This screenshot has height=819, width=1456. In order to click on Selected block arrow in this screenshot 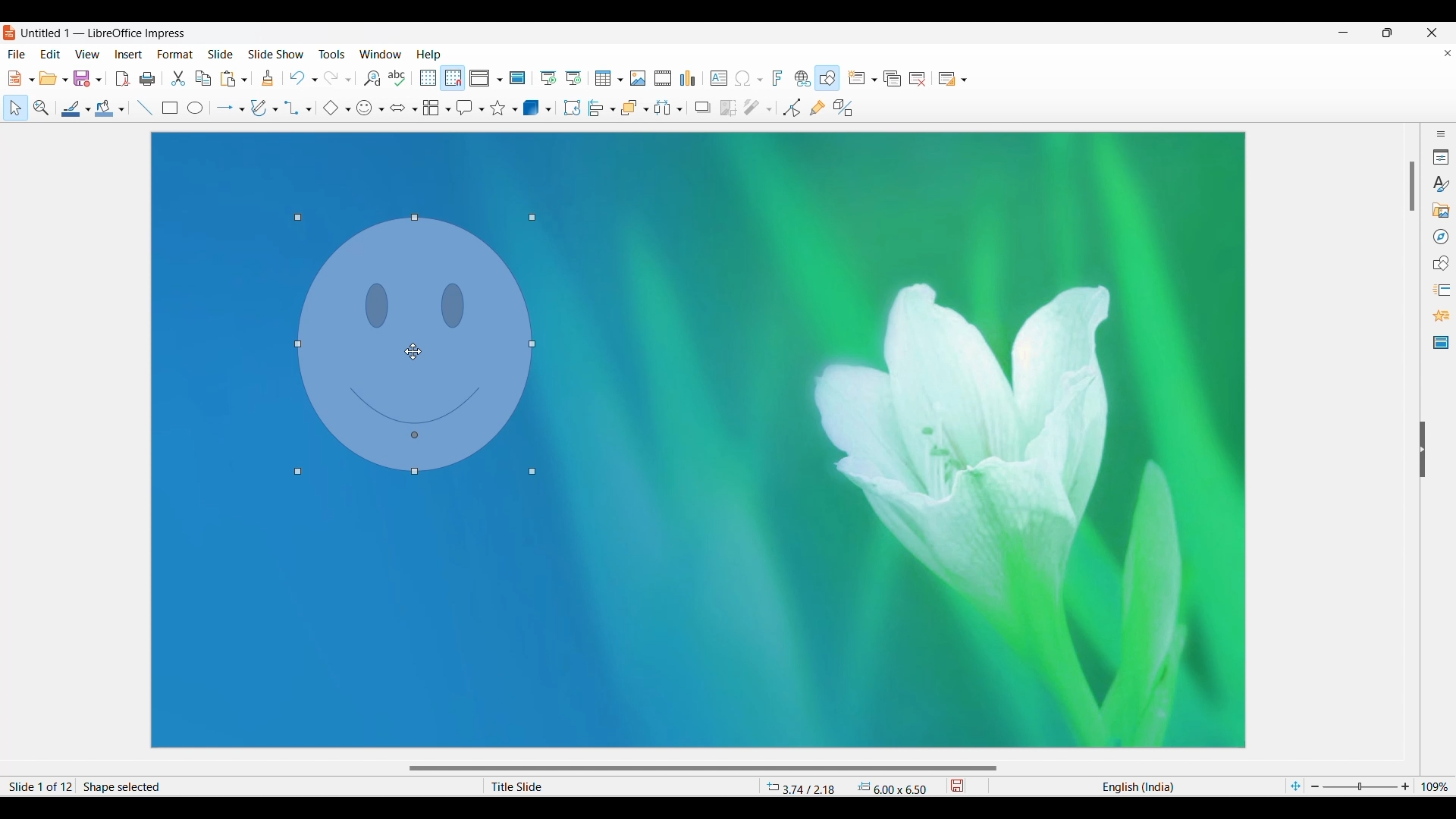, I will do `click(398, 107)`.